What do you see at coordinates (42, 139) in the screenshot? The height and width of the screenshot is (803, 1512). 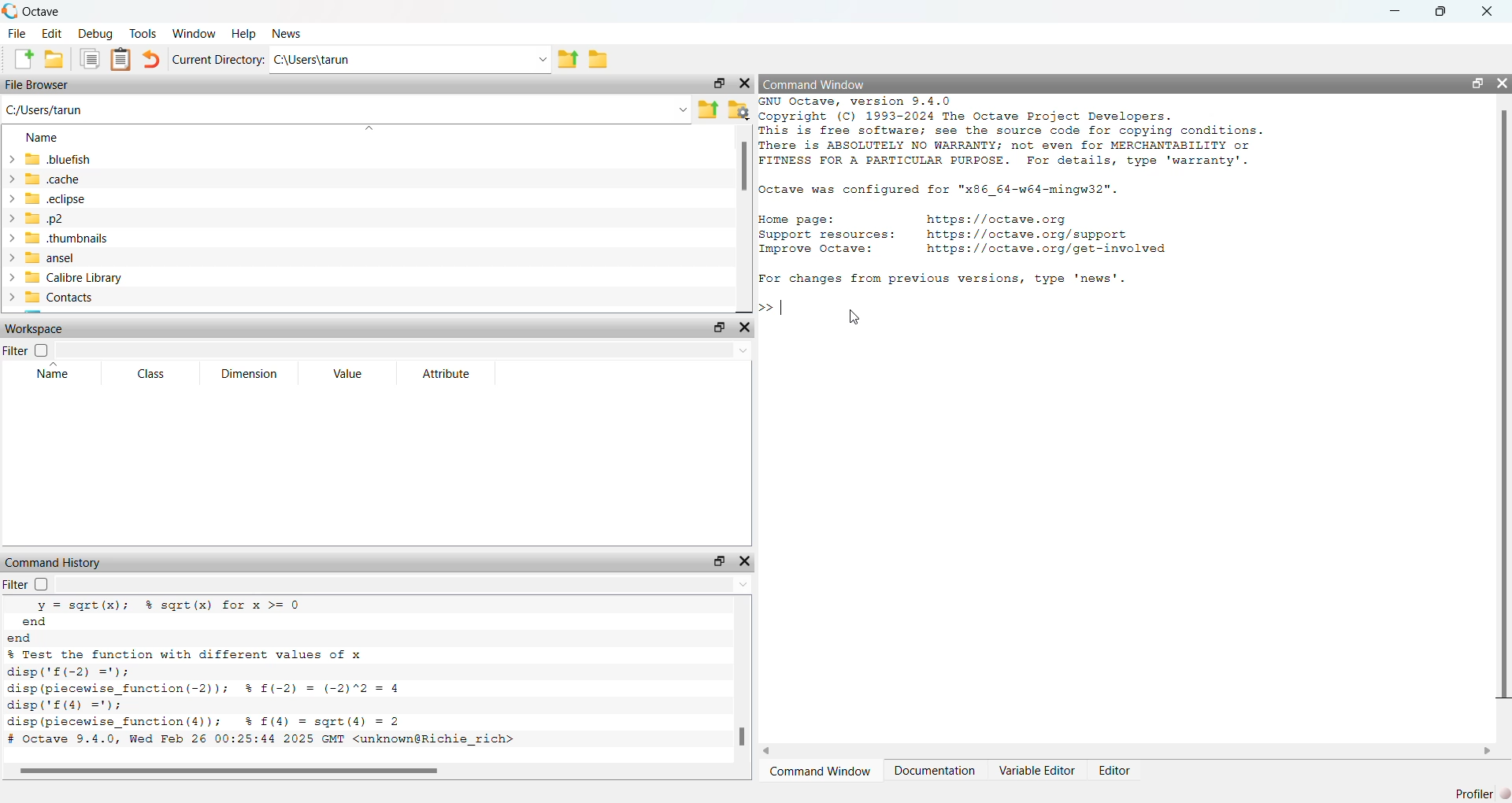 I see `Name` at bounding box center [42, 139].